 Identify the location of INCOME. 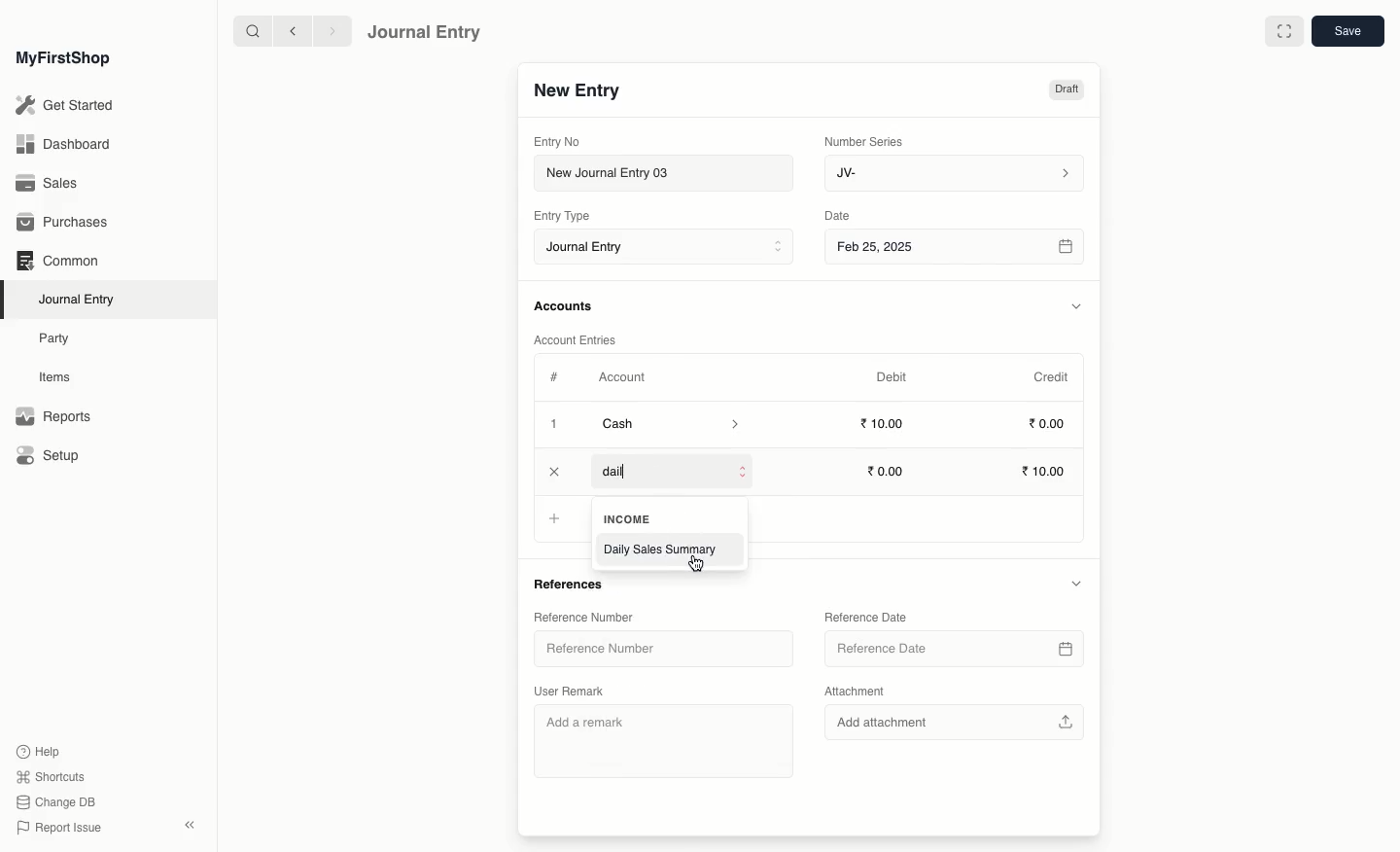
(634, 518).